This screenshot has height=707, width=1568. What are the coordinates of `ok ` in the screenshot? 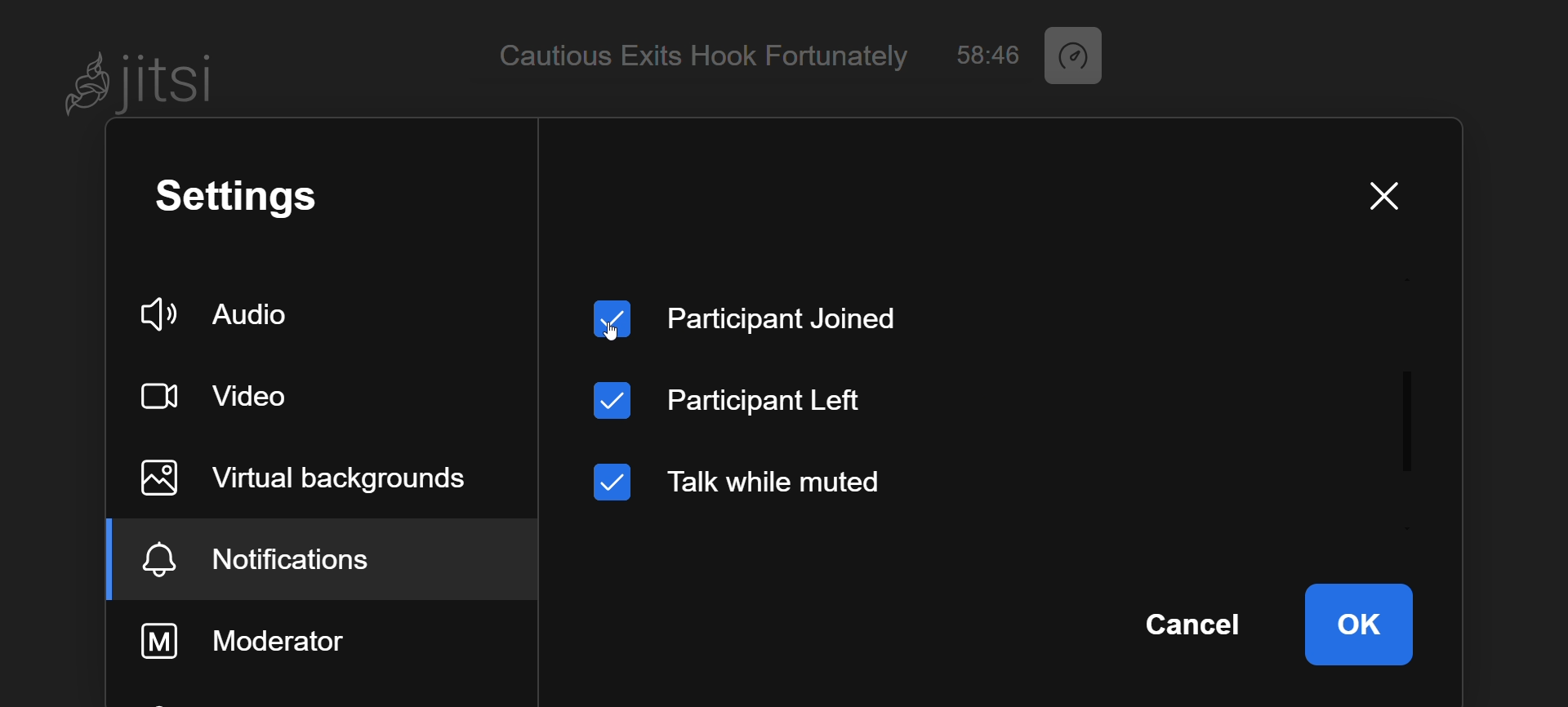 It's located at (1357, 623).